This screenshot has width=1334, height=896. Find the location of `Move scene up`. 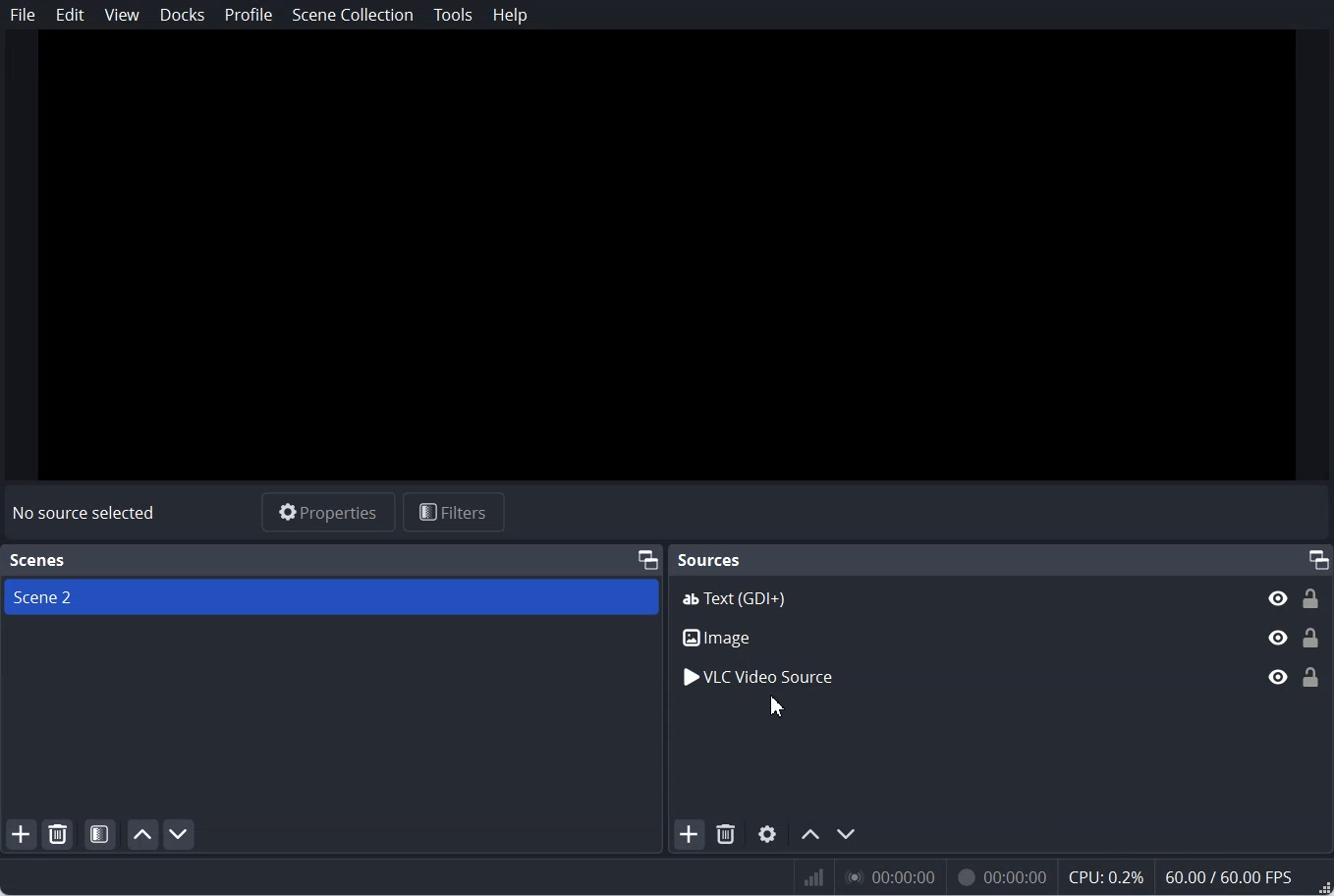

Move scene up is located at coordinates (143, 834).